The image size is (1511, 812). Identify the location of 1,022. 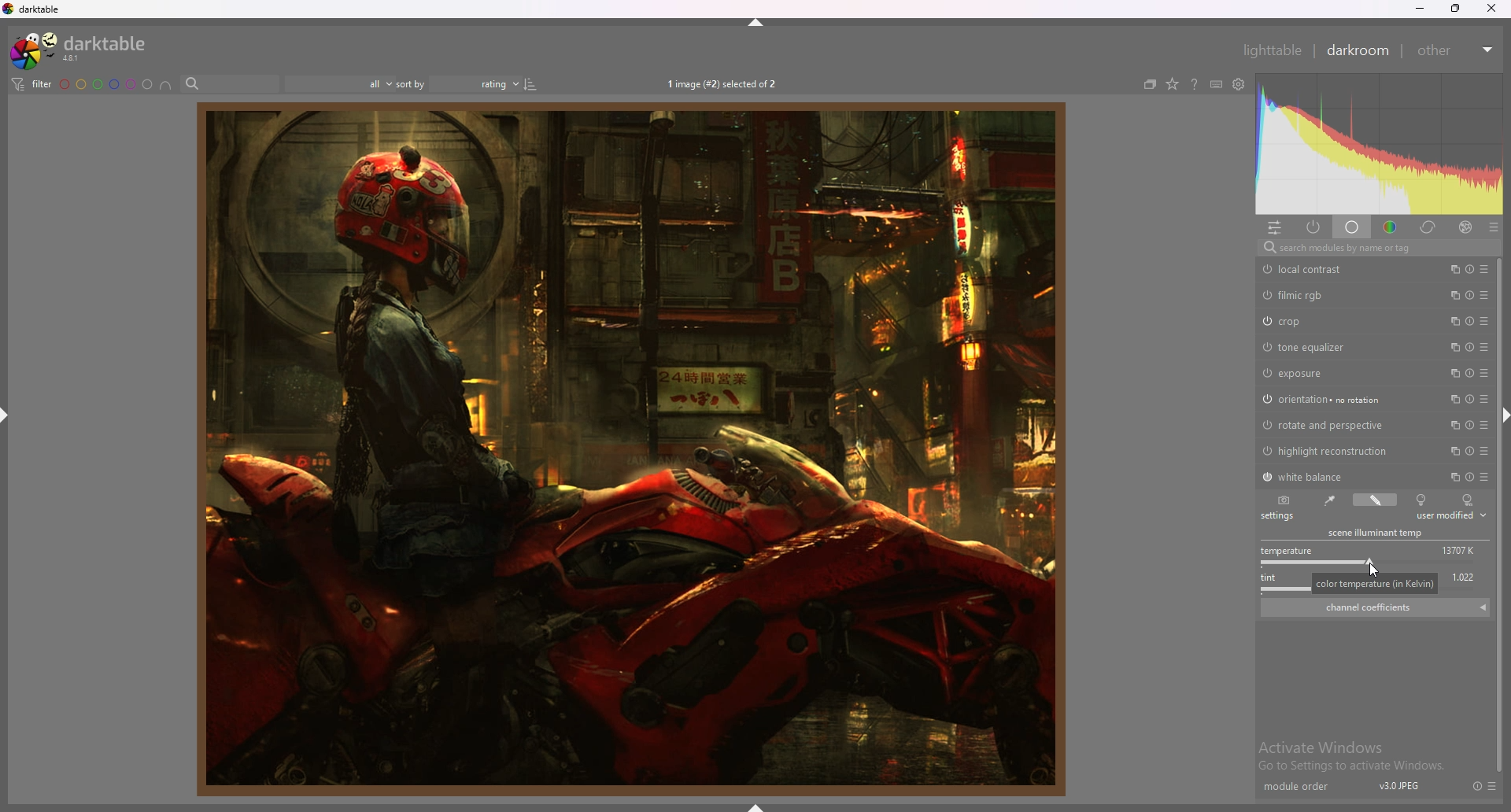
(1469, 580).